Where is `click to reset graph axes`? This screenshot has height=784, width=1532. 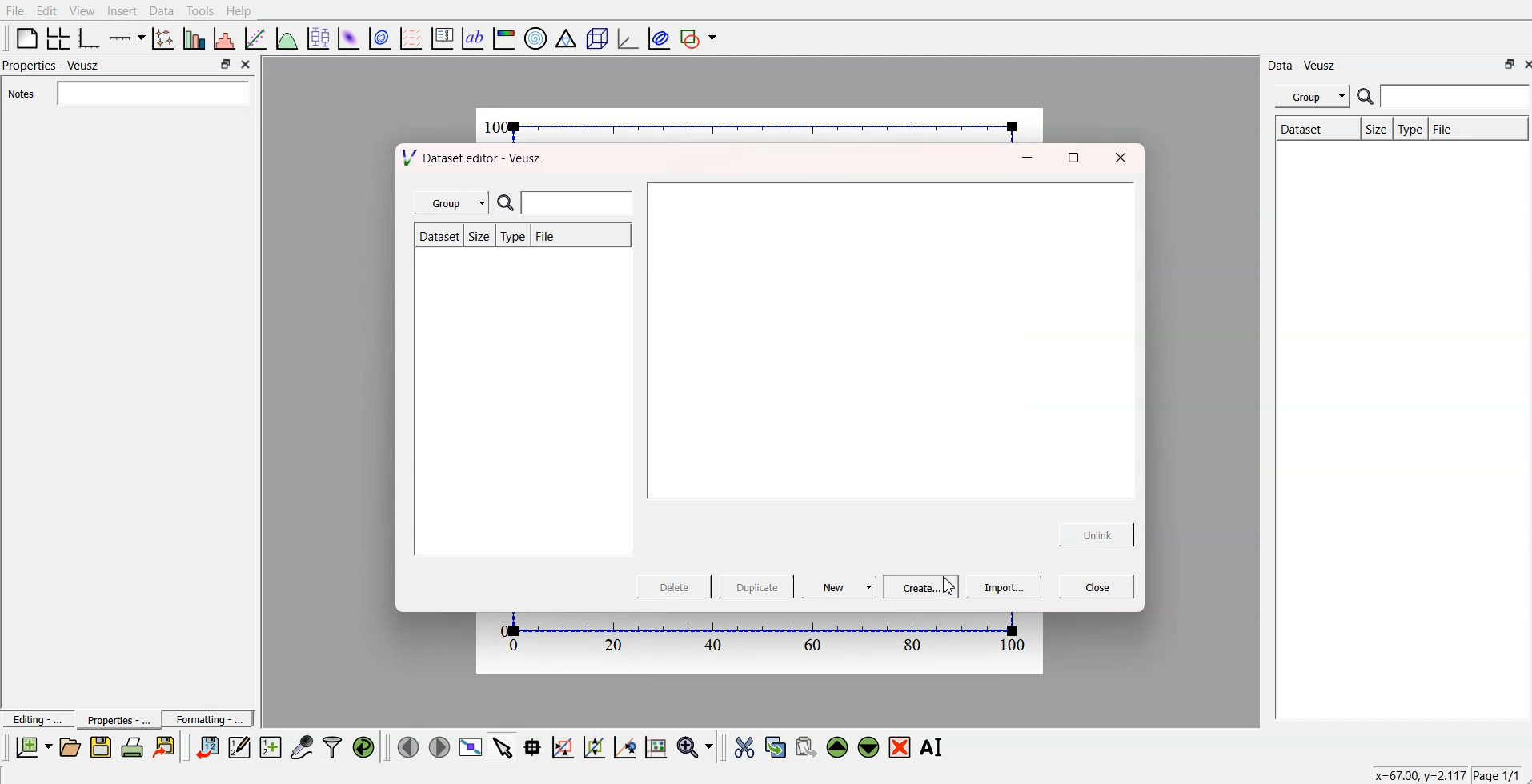 click to reset graph axes is located at coordinates (657, 746).